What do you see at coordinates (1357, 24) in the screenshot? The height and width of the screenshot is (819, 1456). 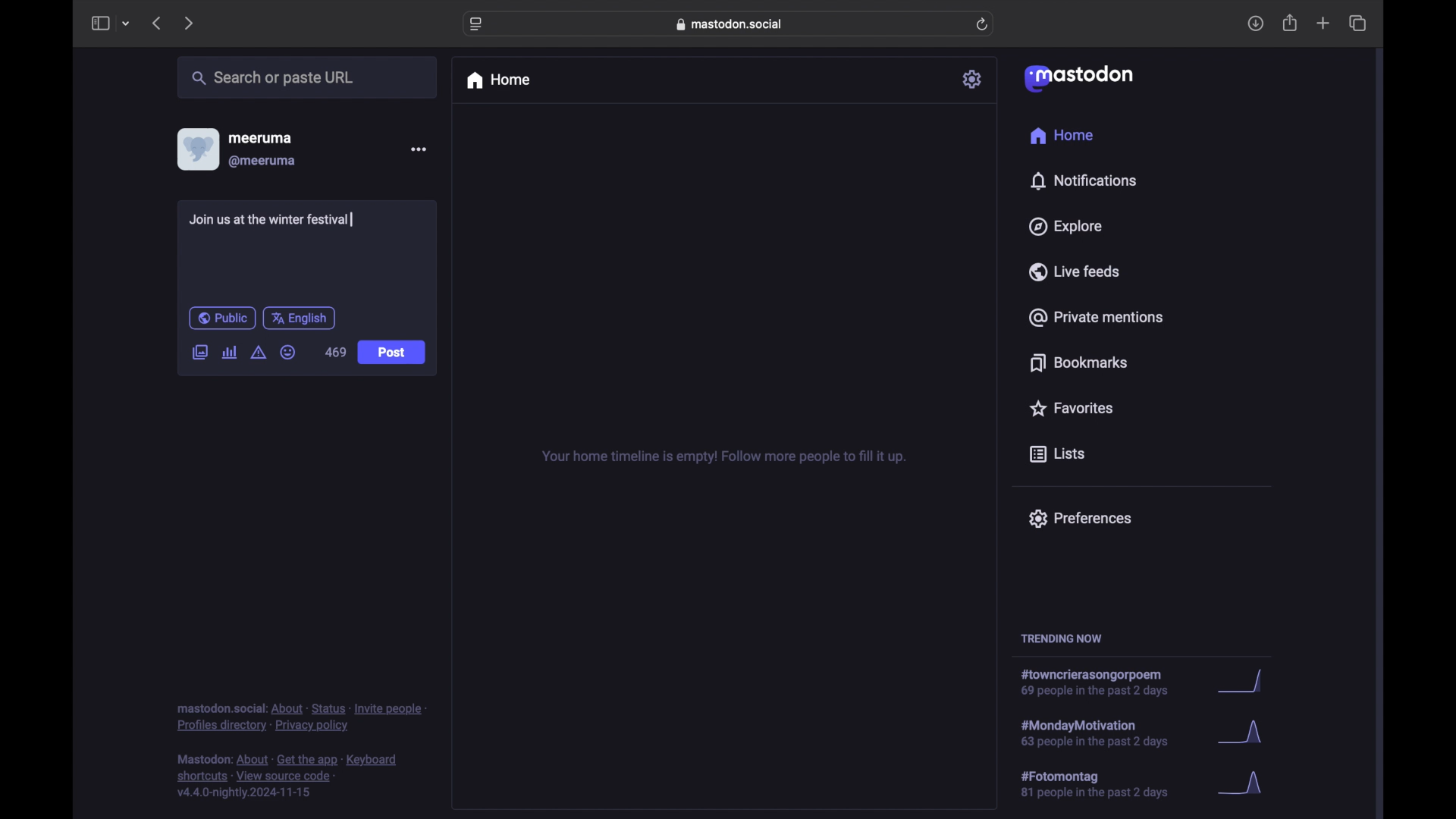 I see `show tab overview` at bounding box center [1357, 24].